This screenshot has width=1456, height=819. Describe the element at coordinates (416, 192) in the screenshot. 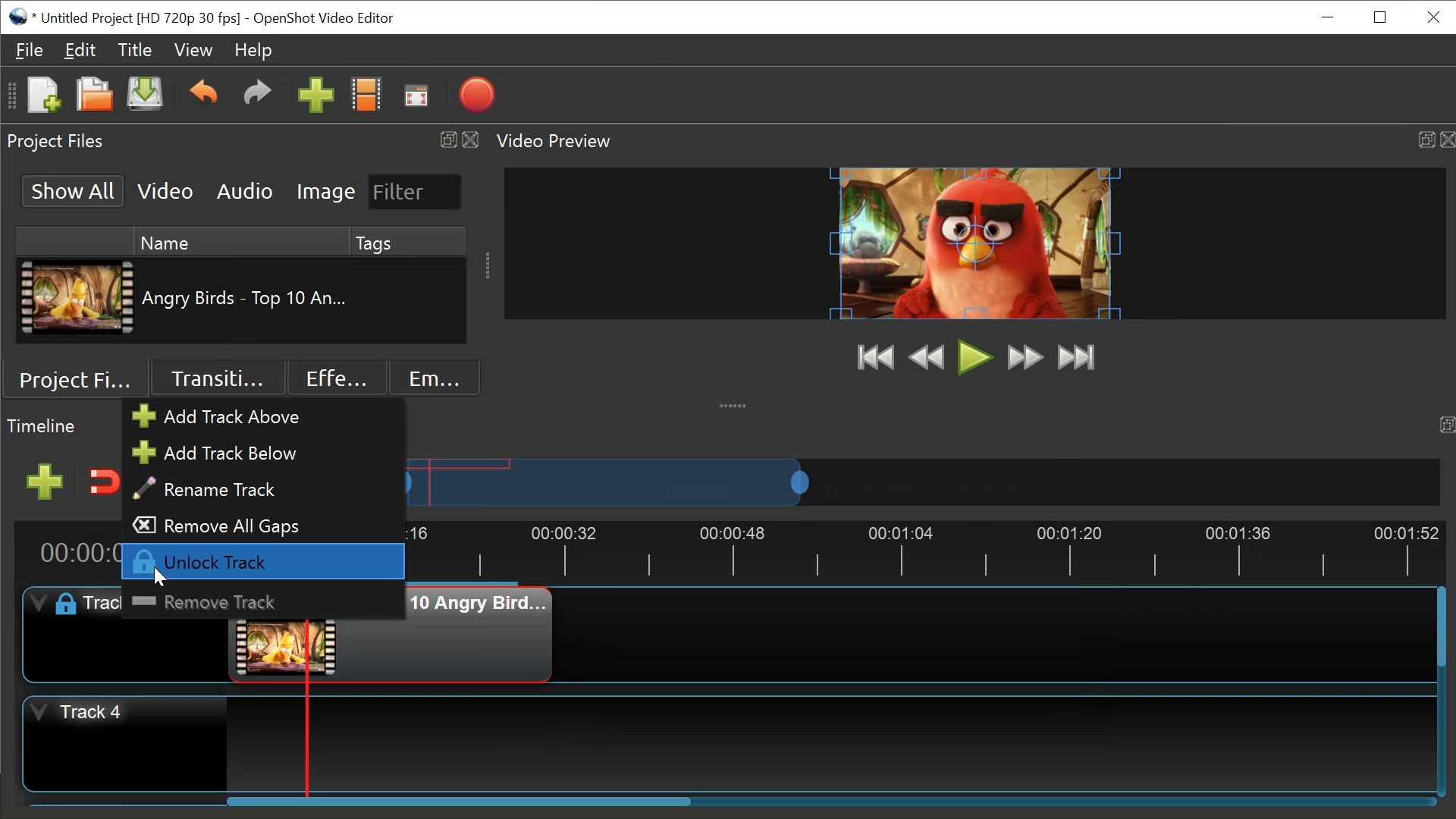

I see `Filter` at that location.